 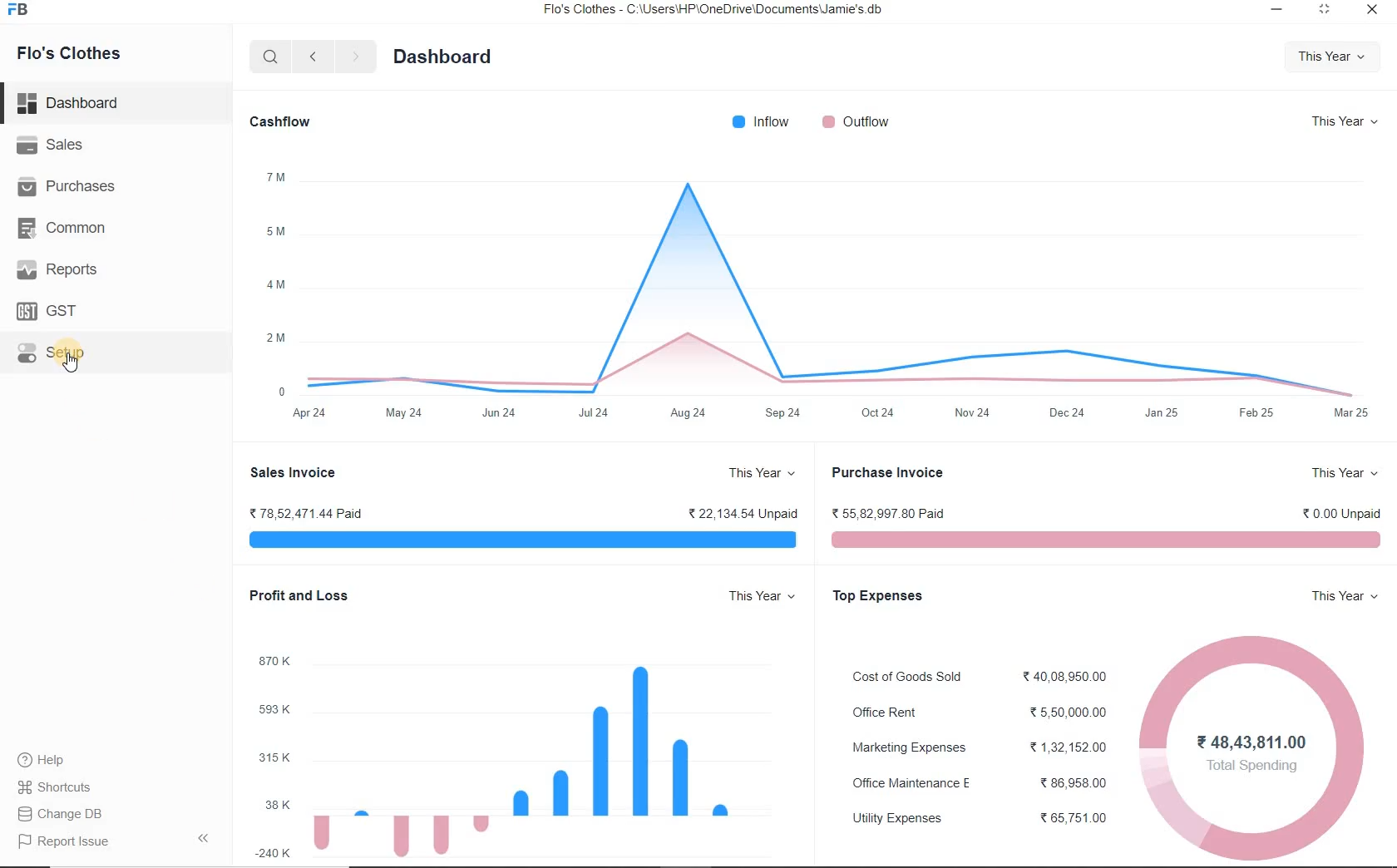 What do you see at coordinates (762, 472) in the screenshot?
I see `this year` at bounding box center [762, 472].